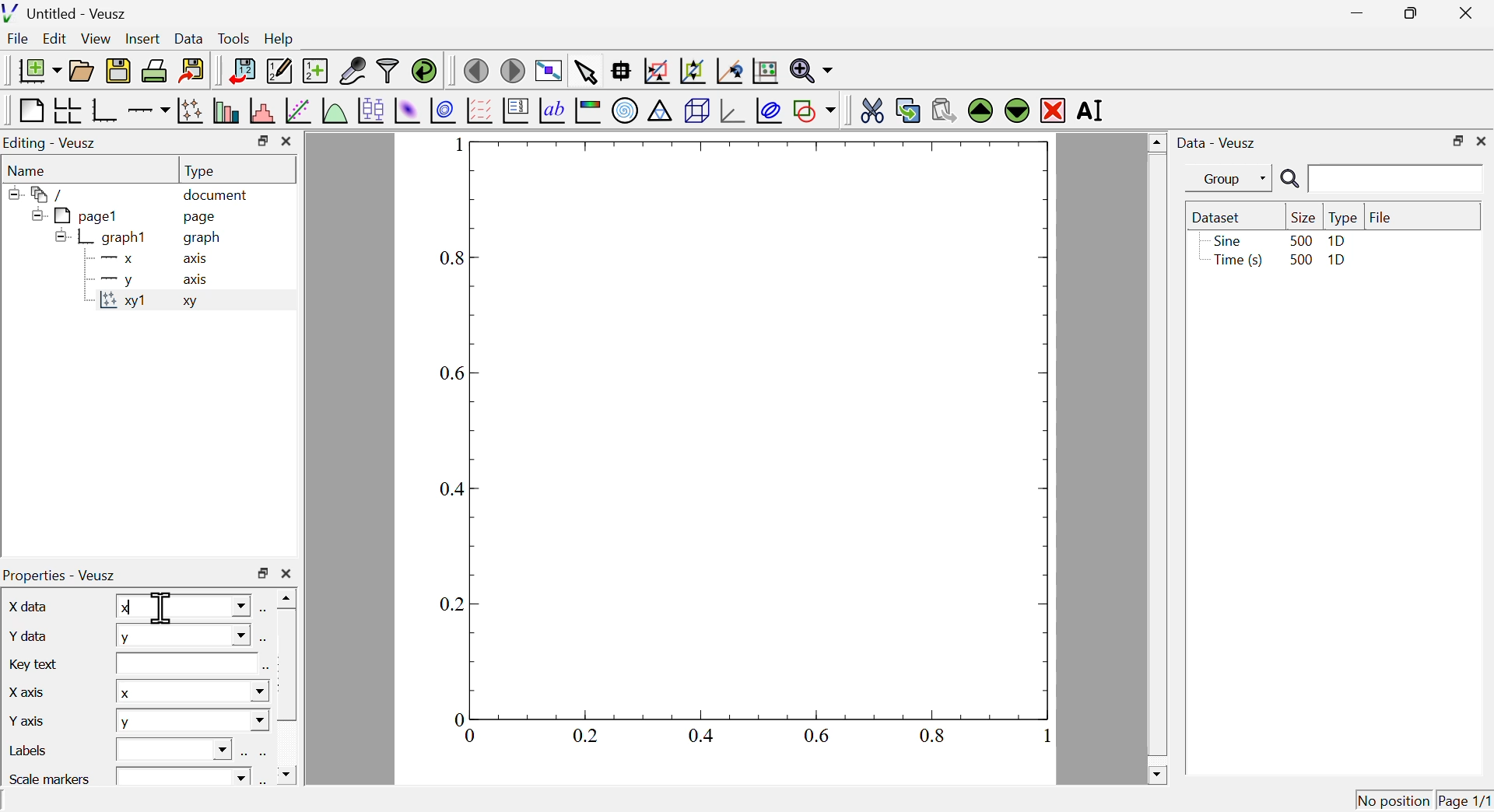  I want to click on x axis, so click(26, 690).